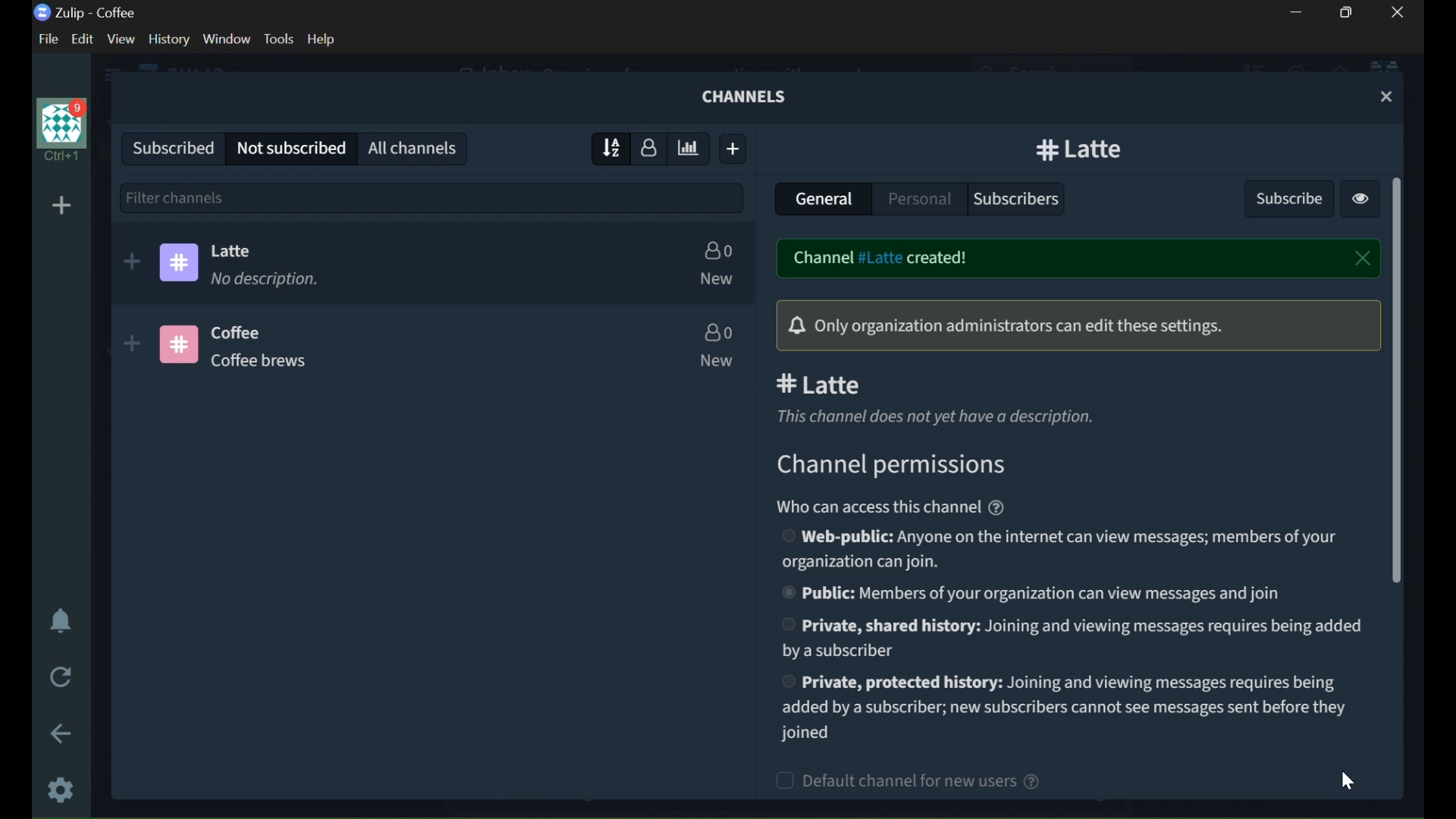  What do you see at coordinates (278, 39) in the screenshot?
I see `TOOLS` at bounding box center [278, 39].